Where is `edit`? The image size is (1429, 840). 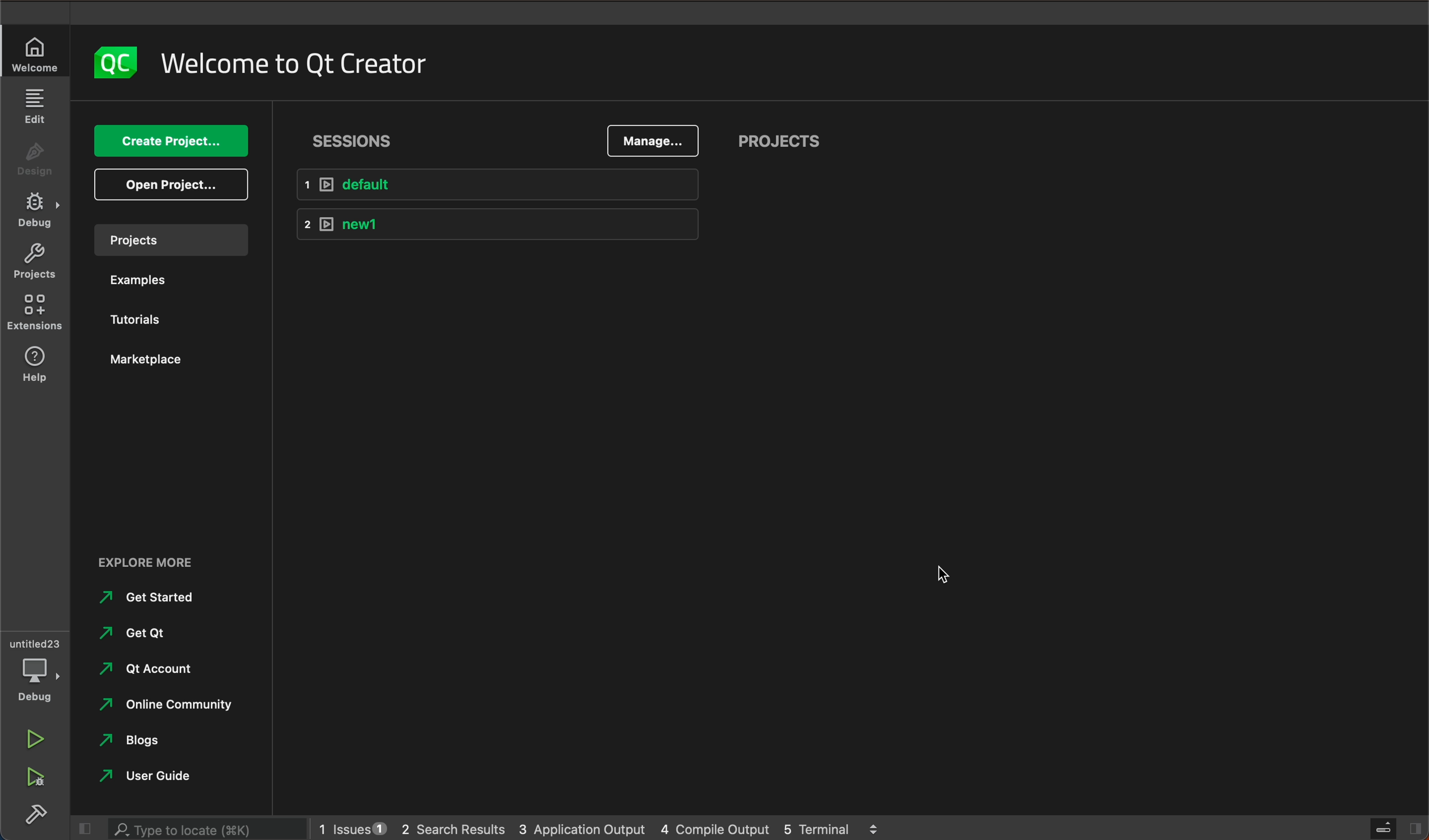 edit is located at coordinates (34, 105).